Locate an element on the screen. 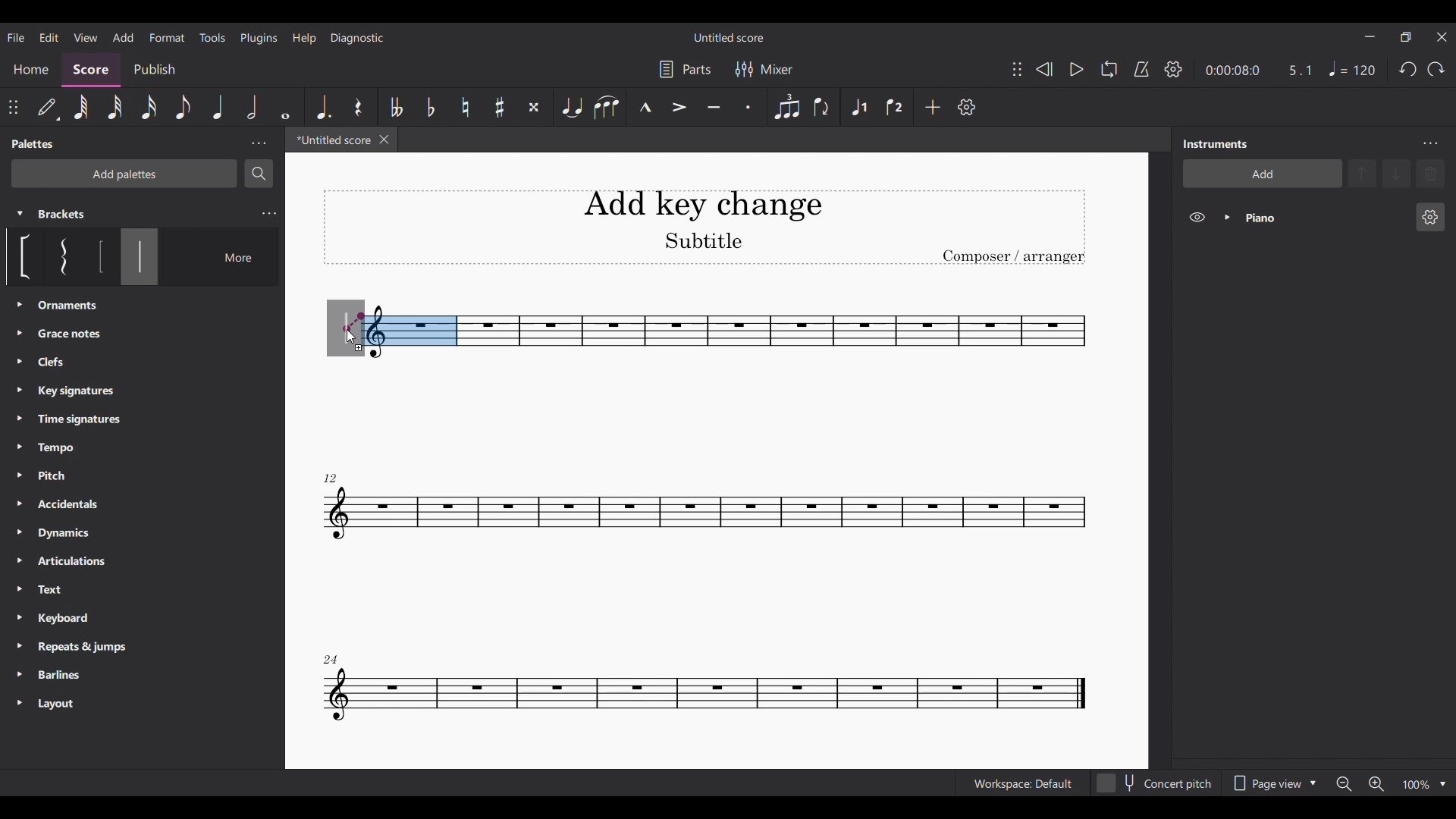 The height and width of the screenshot is (819, 1456). Page view options is located at coordinates (1274, 783).